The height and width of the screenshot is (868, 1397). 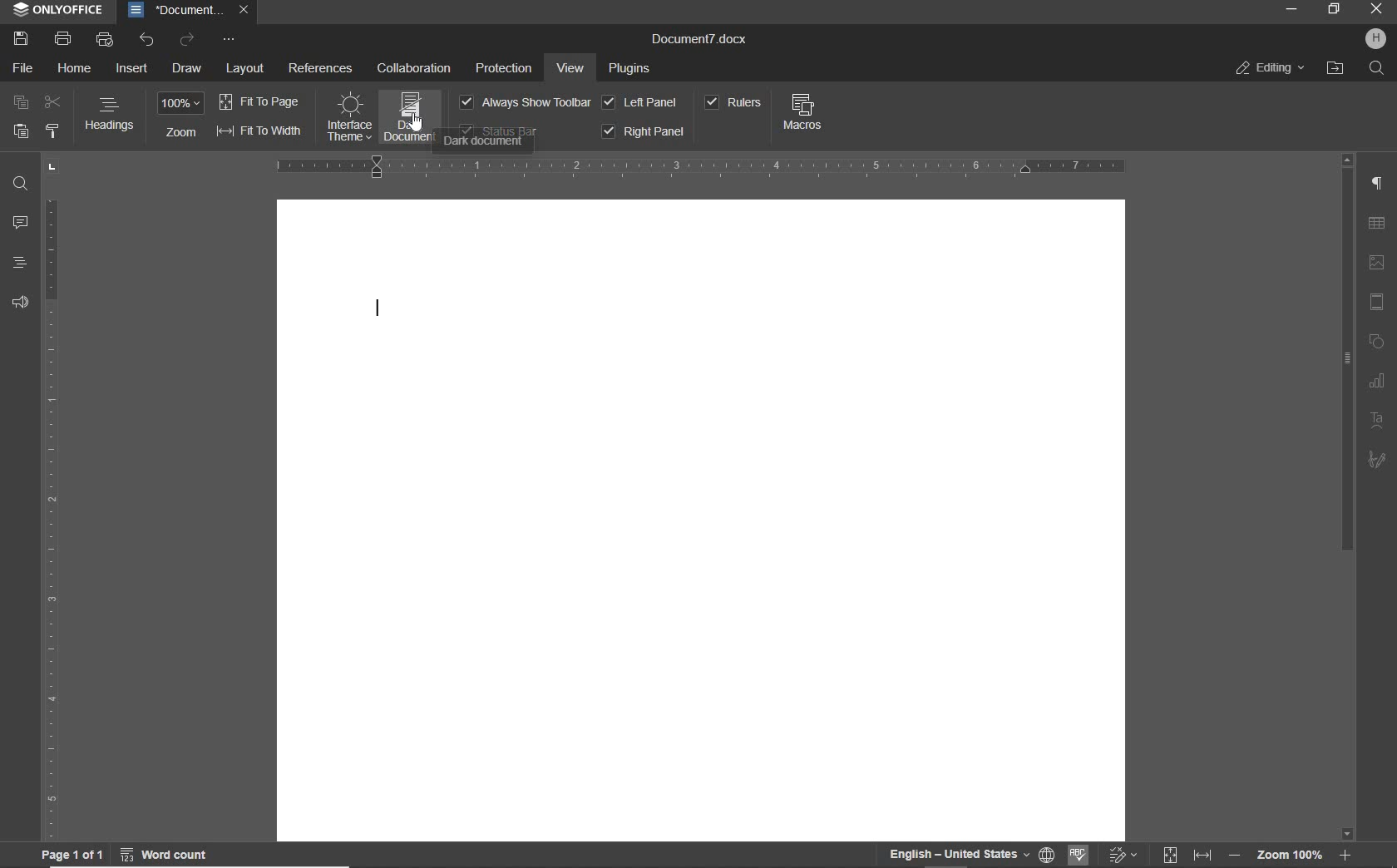 What do you see at coordinates (166, 852) in the screenshot?
I see `WORD COUNT` at bounding box center [166, 852].